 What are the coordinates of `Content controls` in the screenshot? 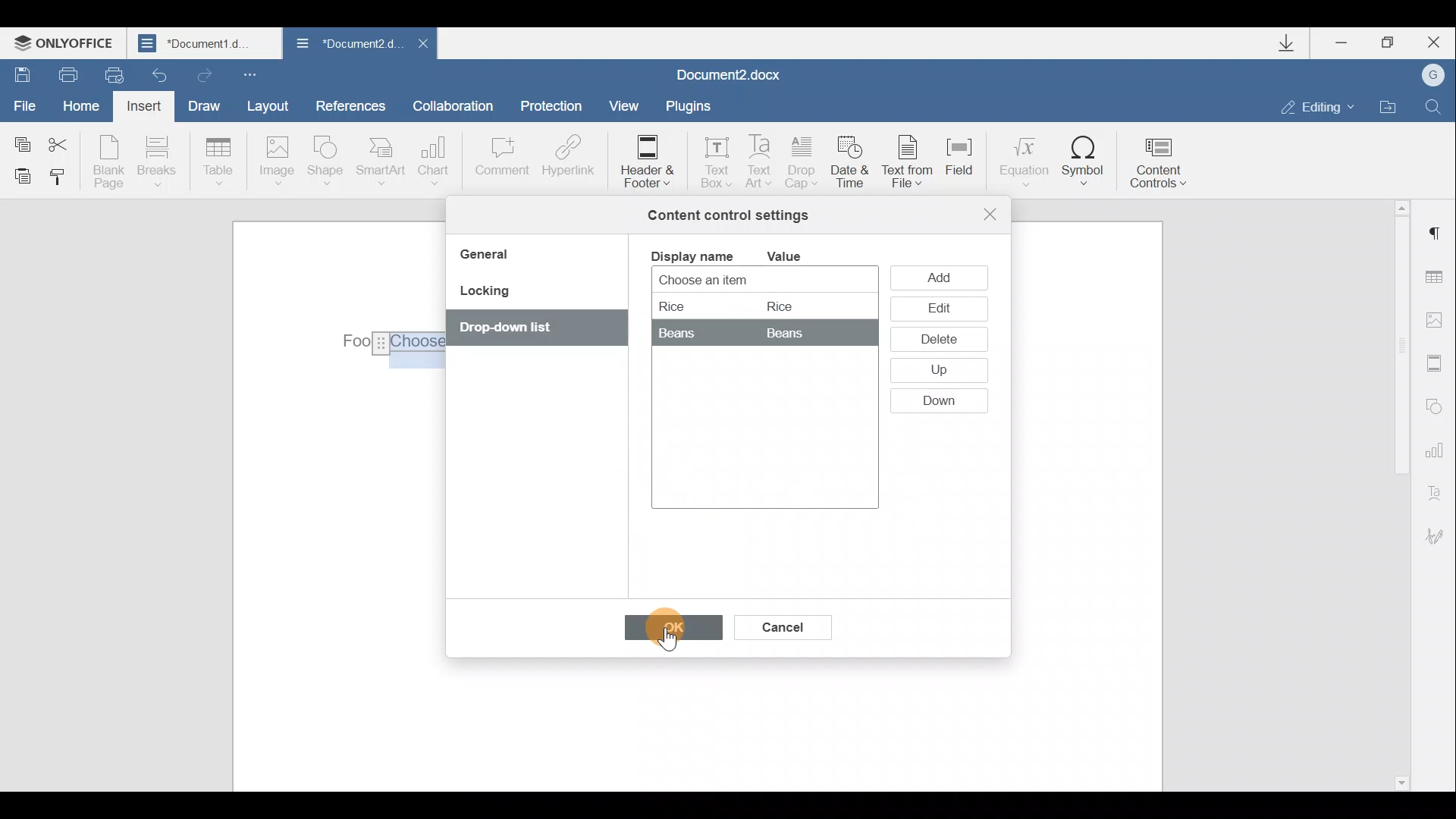 It's located at (1164, 158).